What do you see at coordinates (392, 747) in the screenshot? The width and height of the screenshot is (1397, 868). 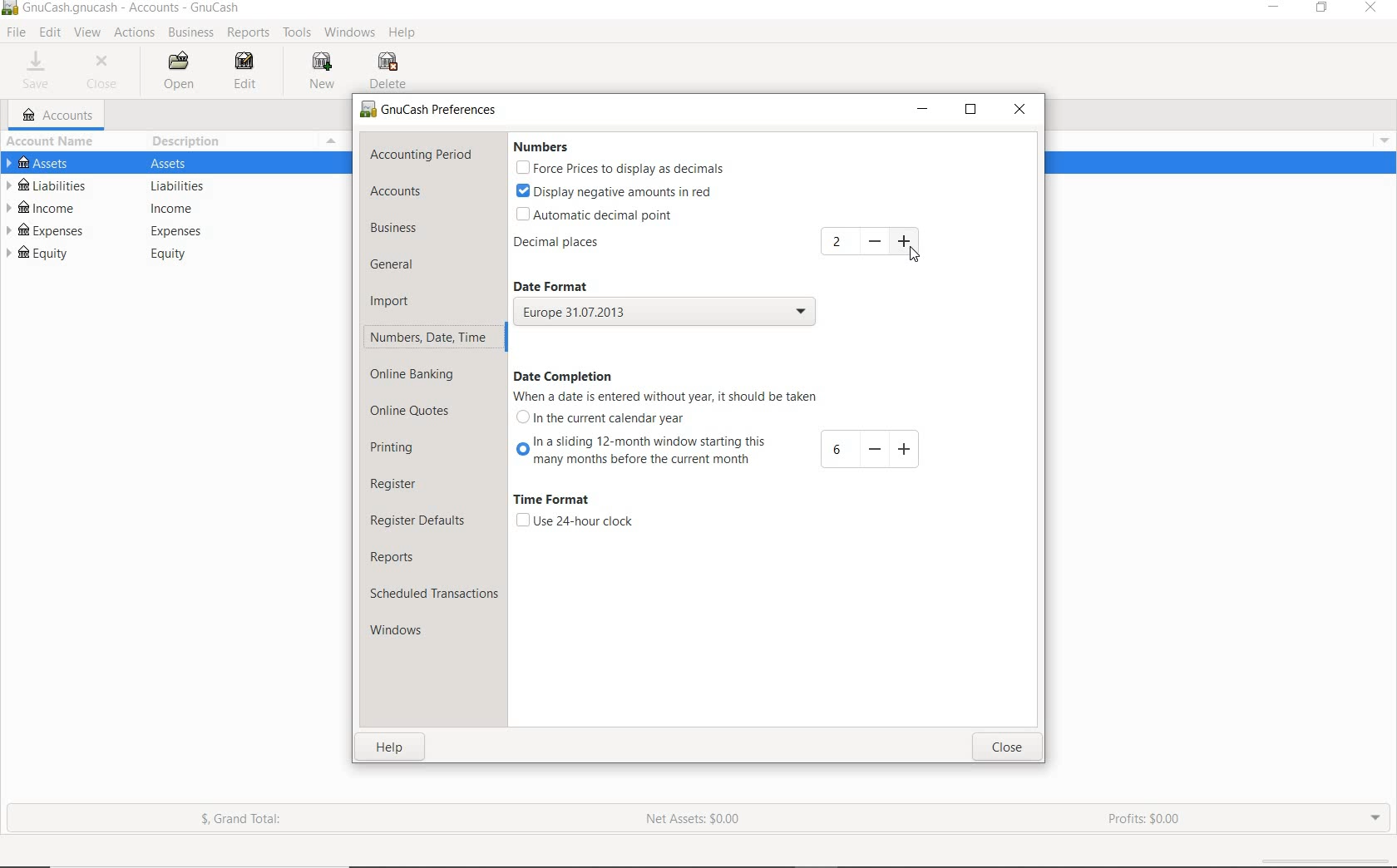 I see `help` at bounding box center [392, 747].